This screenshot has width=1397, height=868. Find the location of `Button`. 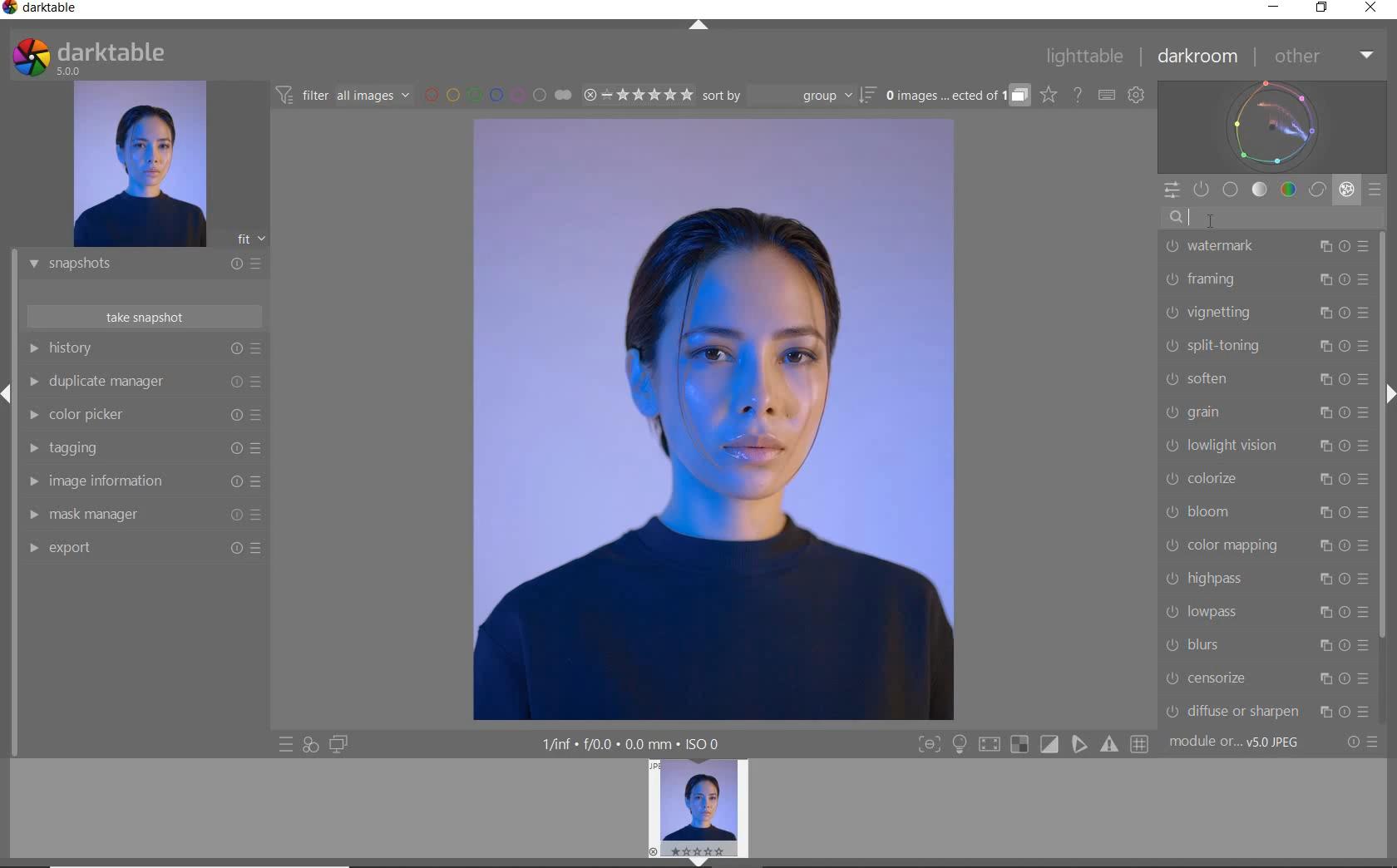

Button is located at coordinates (989, 747).